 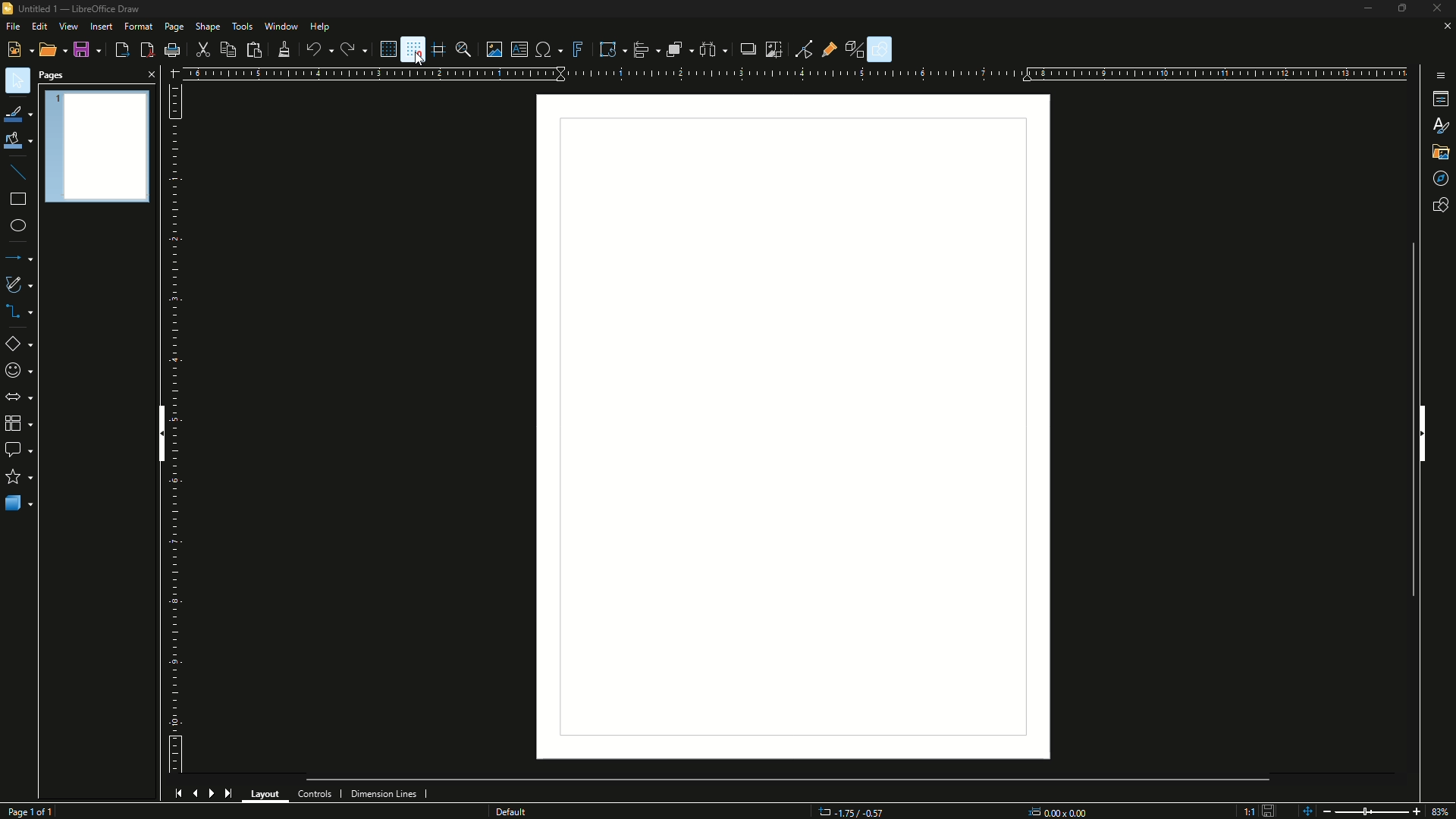 What do you see at coordinates (317, 790) in the screenshot?
I see `Controls` at bounding box center [317, 790].